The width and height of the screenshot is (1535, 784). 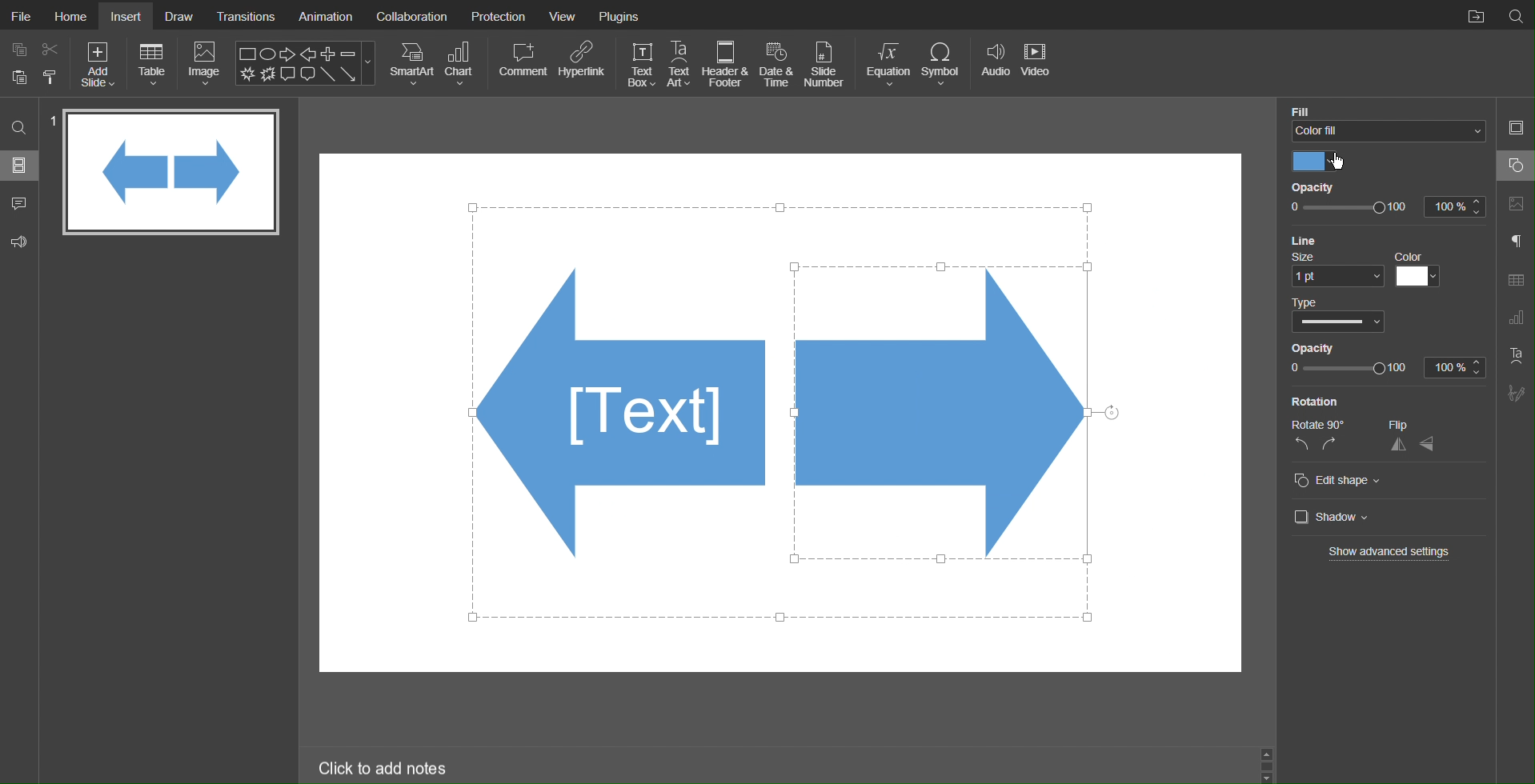 I want to click on Open File Location, so click(x=1472, y=14).